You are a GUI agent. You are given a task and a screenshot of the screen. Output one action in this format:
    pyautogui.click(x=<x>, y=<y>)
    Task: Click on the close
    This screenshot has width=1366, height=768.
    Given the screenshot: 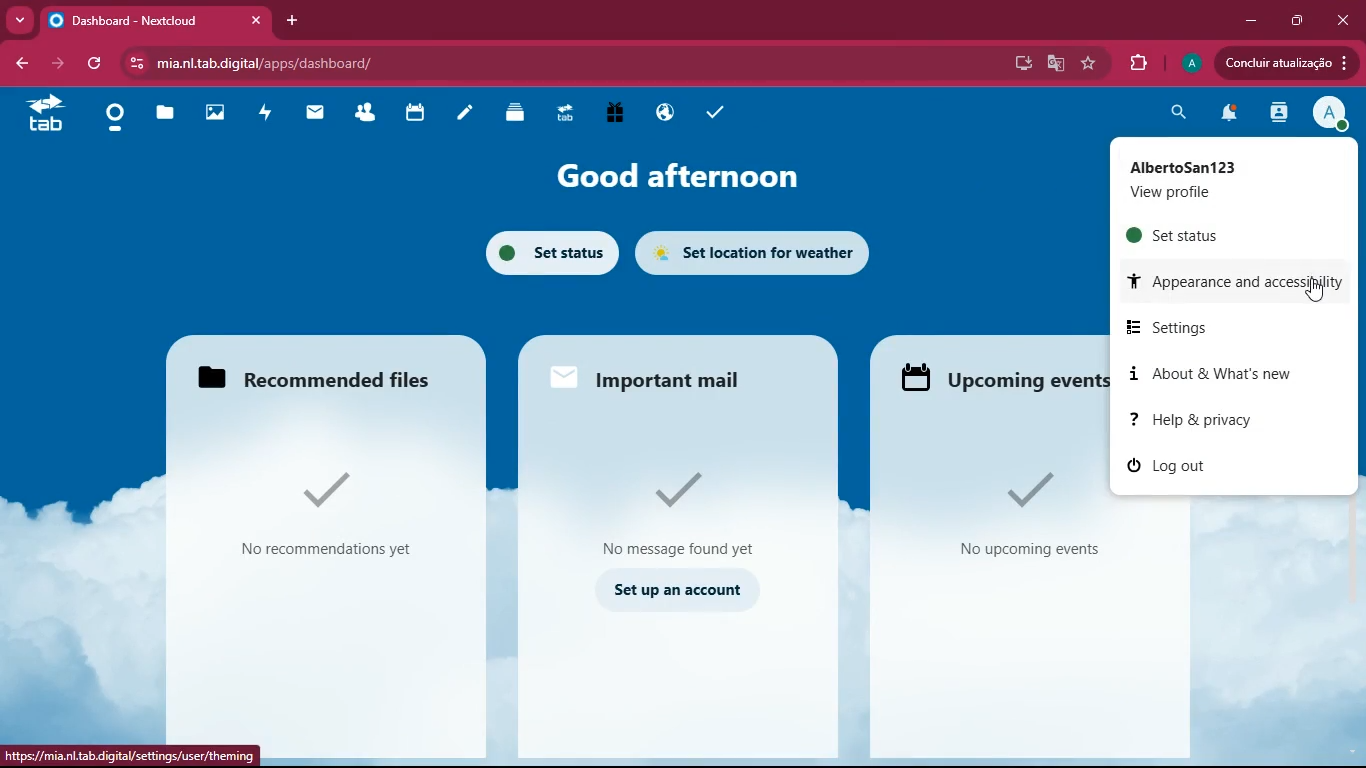 What is the action you would take?
    pyautogui.click(x=1340, y=21)
    